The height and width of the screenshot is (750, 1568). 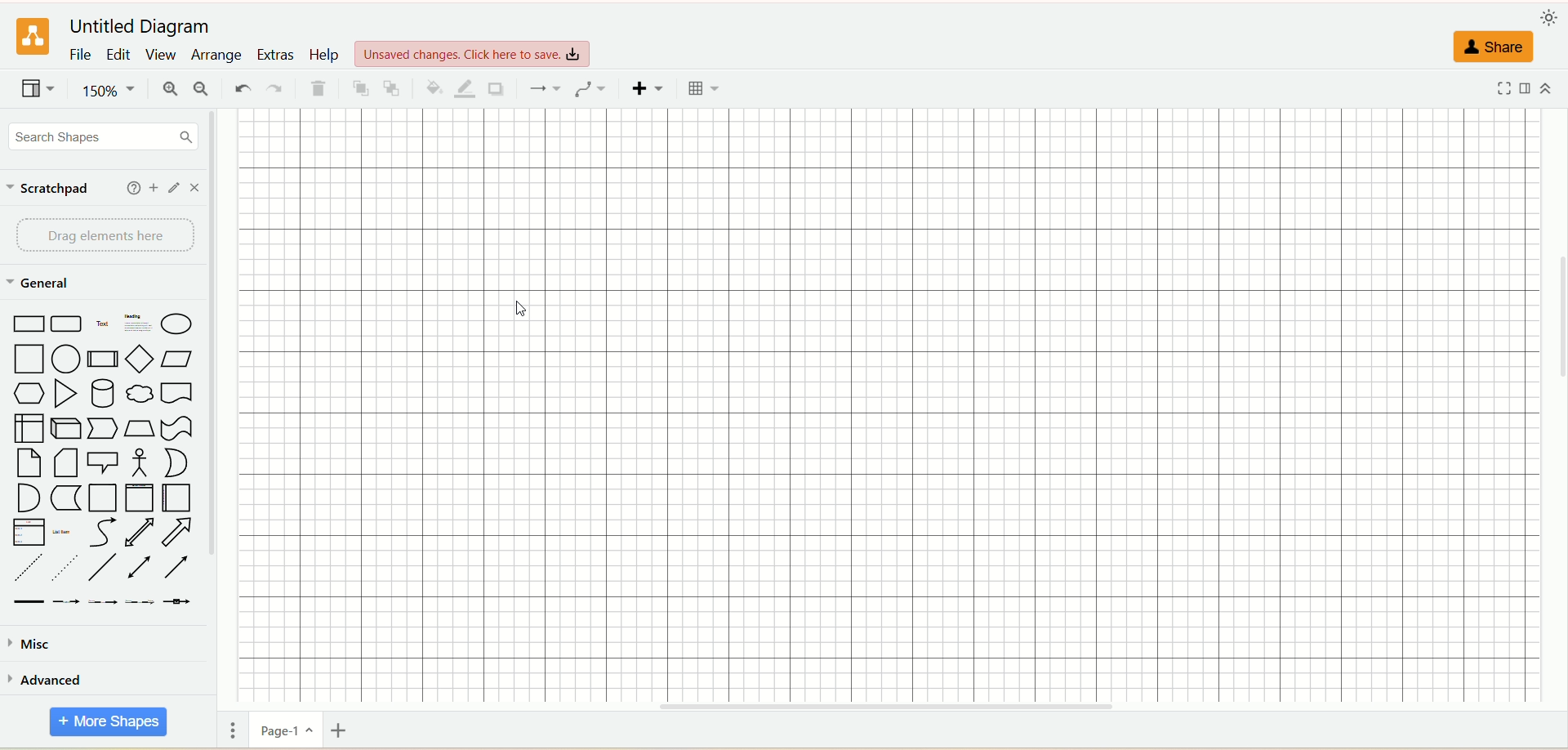 I want to click on view, so click(x=161, y=54).